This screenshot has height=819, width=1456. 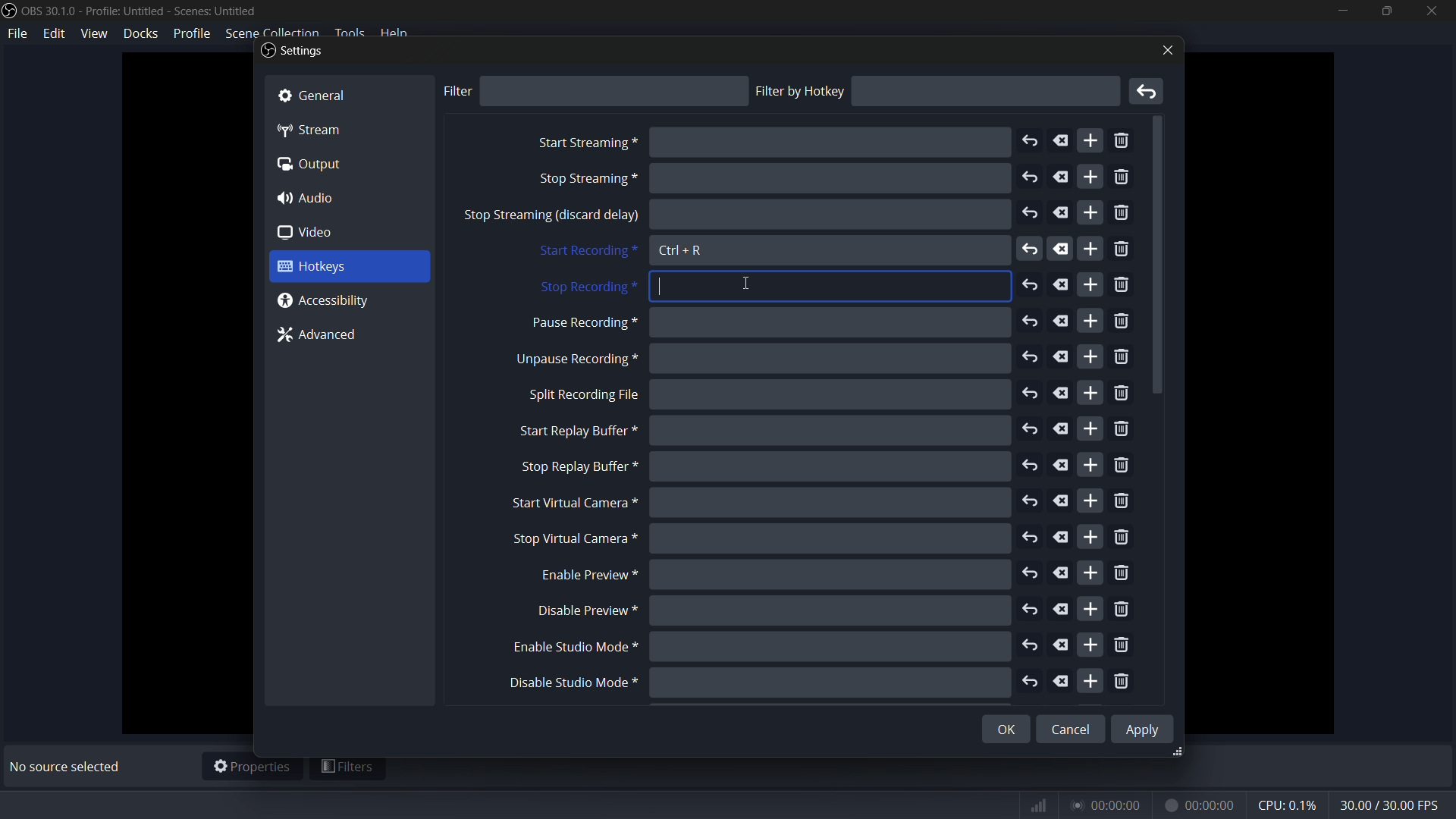 What do you see at coordinates (1165, 50) in the screenshot?
I see `close` at bounding box center [1165, 50].